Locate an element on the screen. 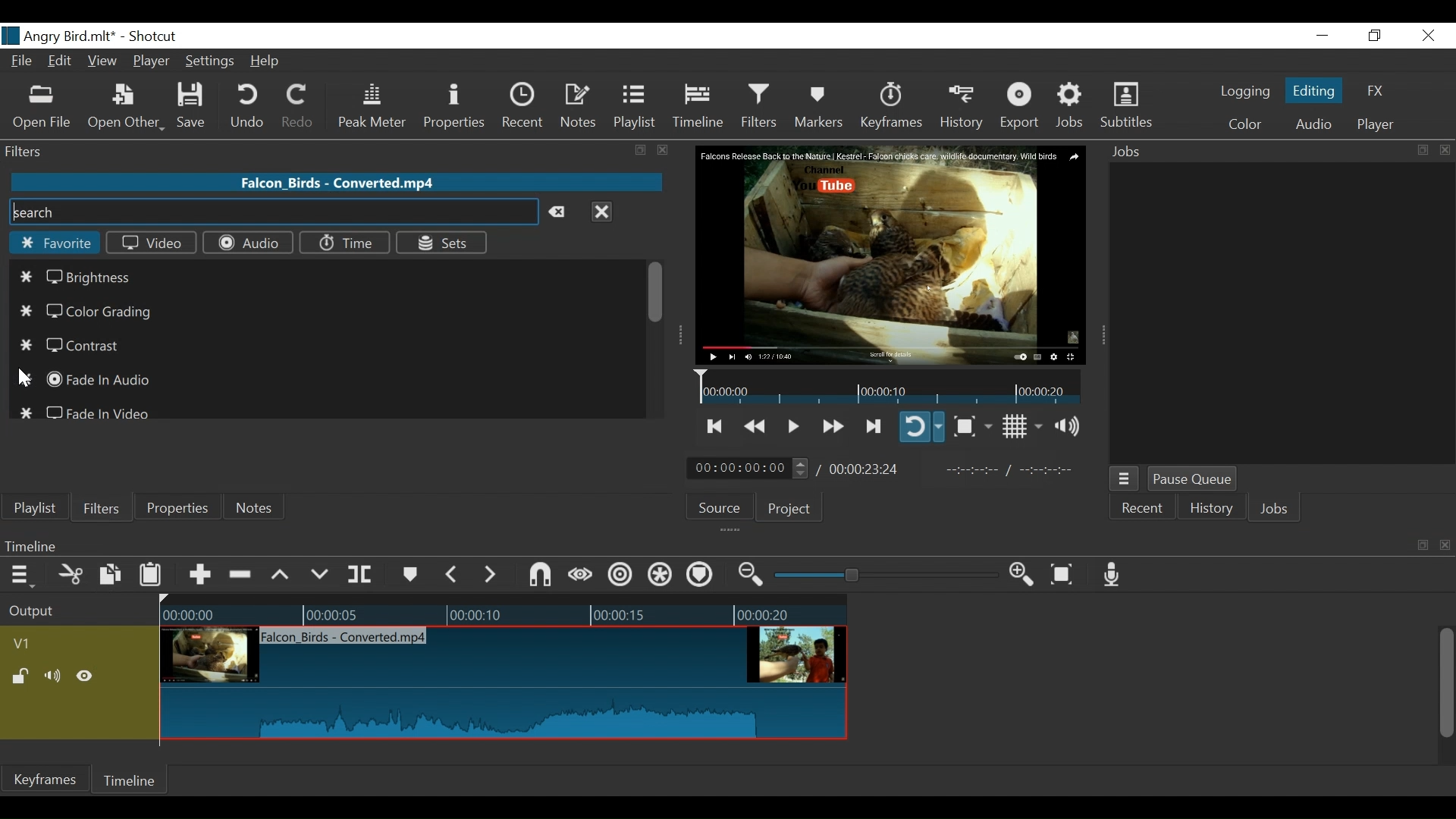 The width and height of the screenshot is (1456, 819). Color is located at coordinates (1241, 124).